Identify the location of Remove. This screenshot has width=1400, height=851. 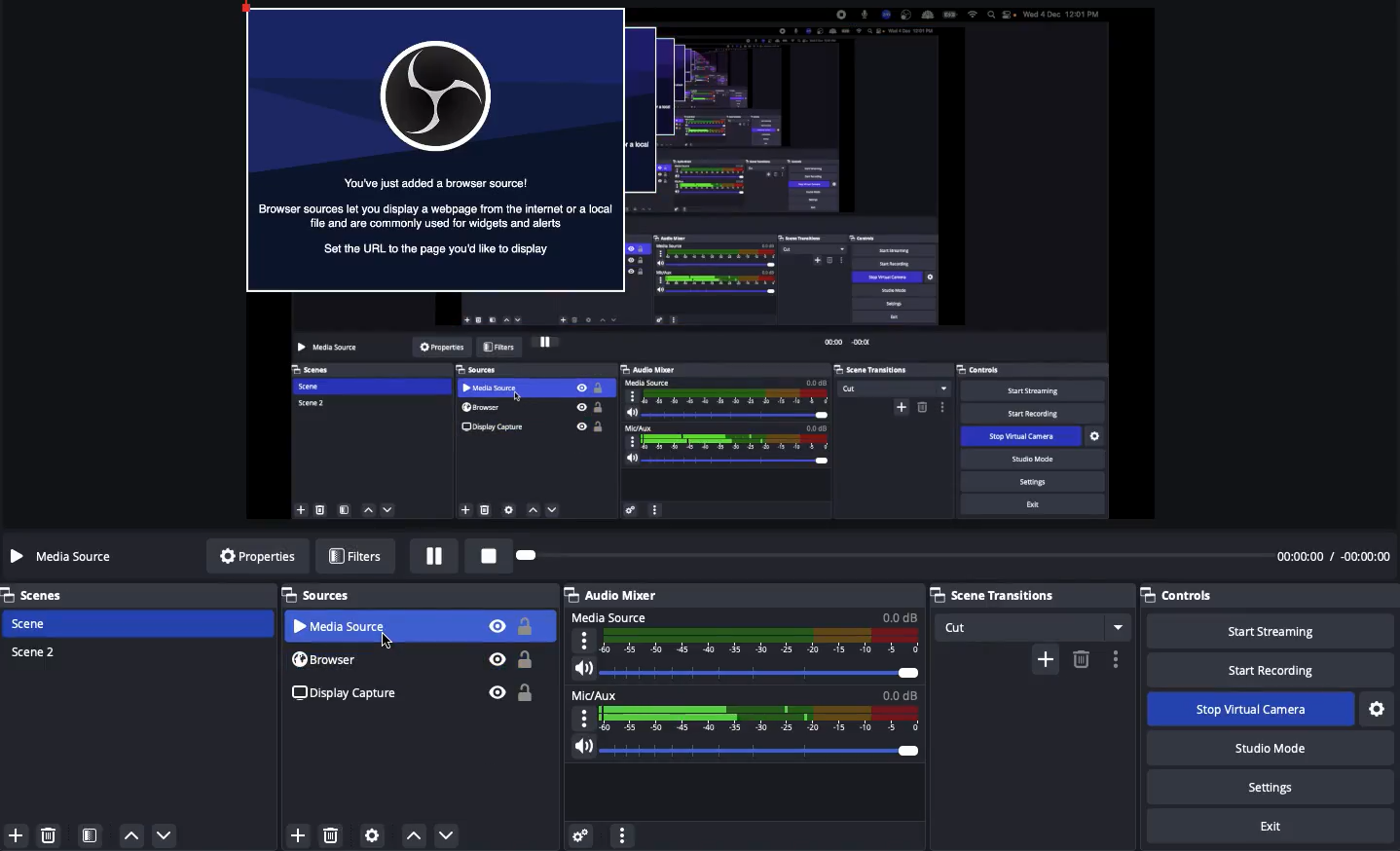
(1082, 660).